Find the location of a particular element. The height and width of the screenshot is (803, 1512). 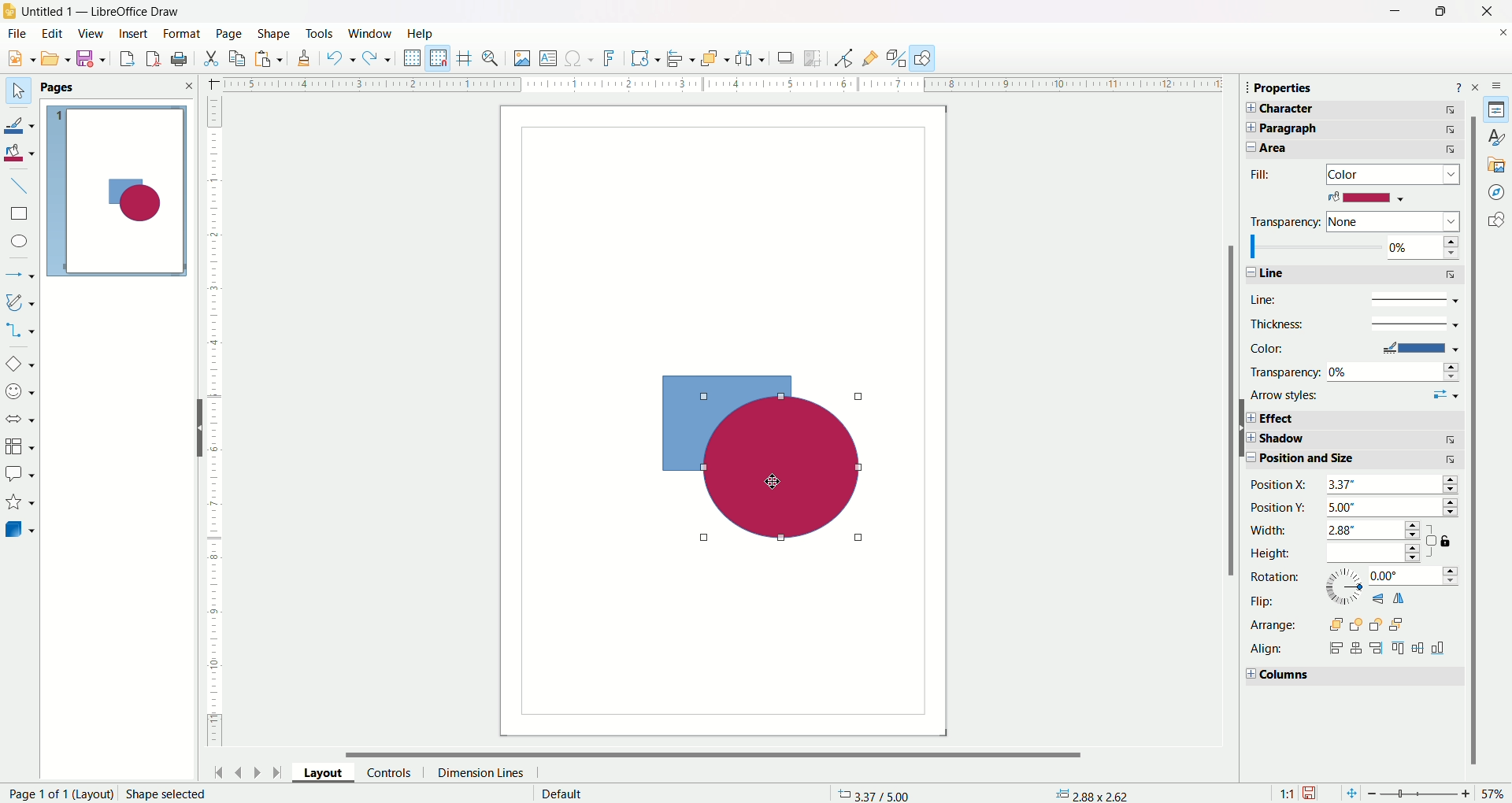

Position X is located at coordinates (1354, 486).